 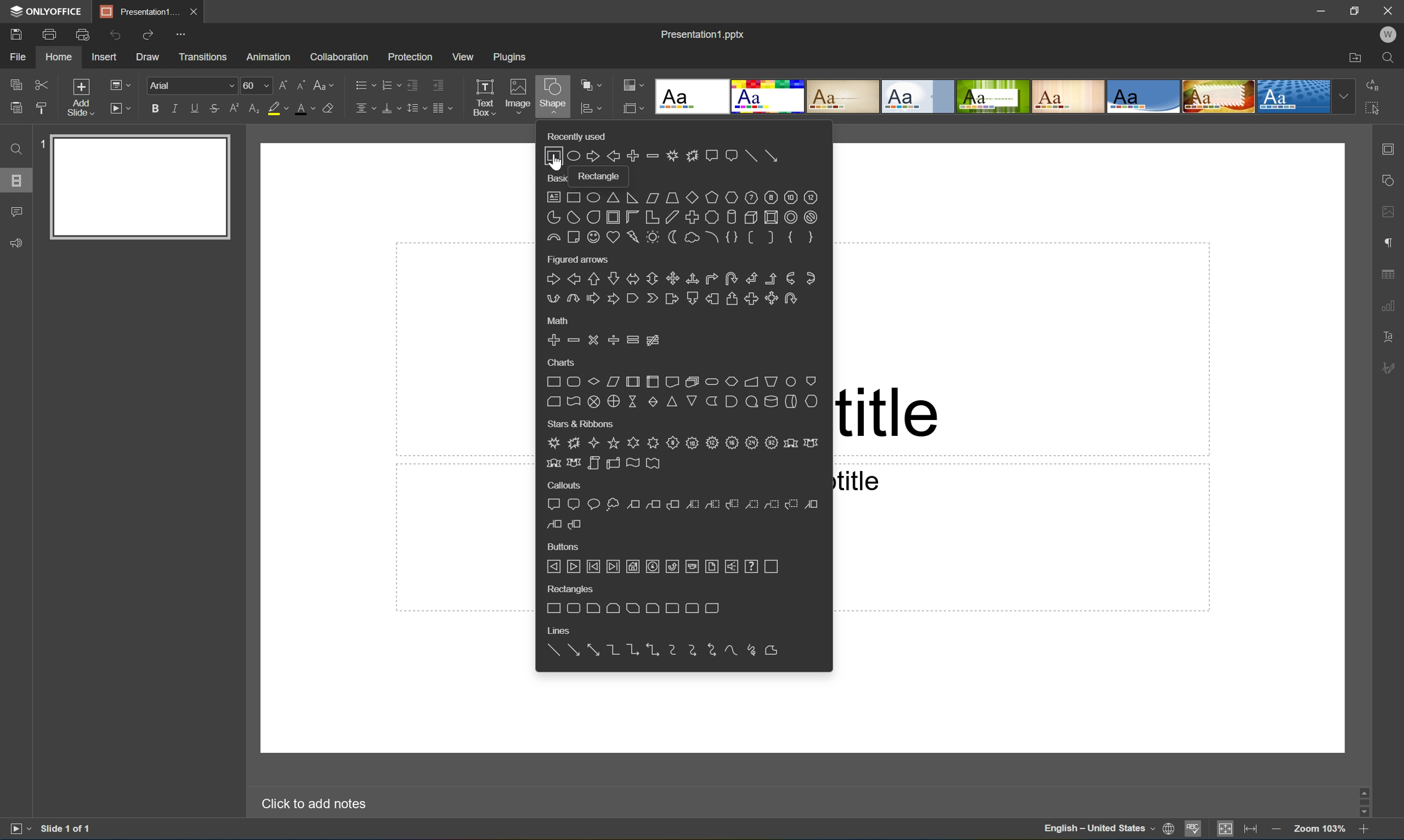 What do you see at coordinates (233, 108) in the screenshot?
I see `Superscript` at bounding box center [233, 108].